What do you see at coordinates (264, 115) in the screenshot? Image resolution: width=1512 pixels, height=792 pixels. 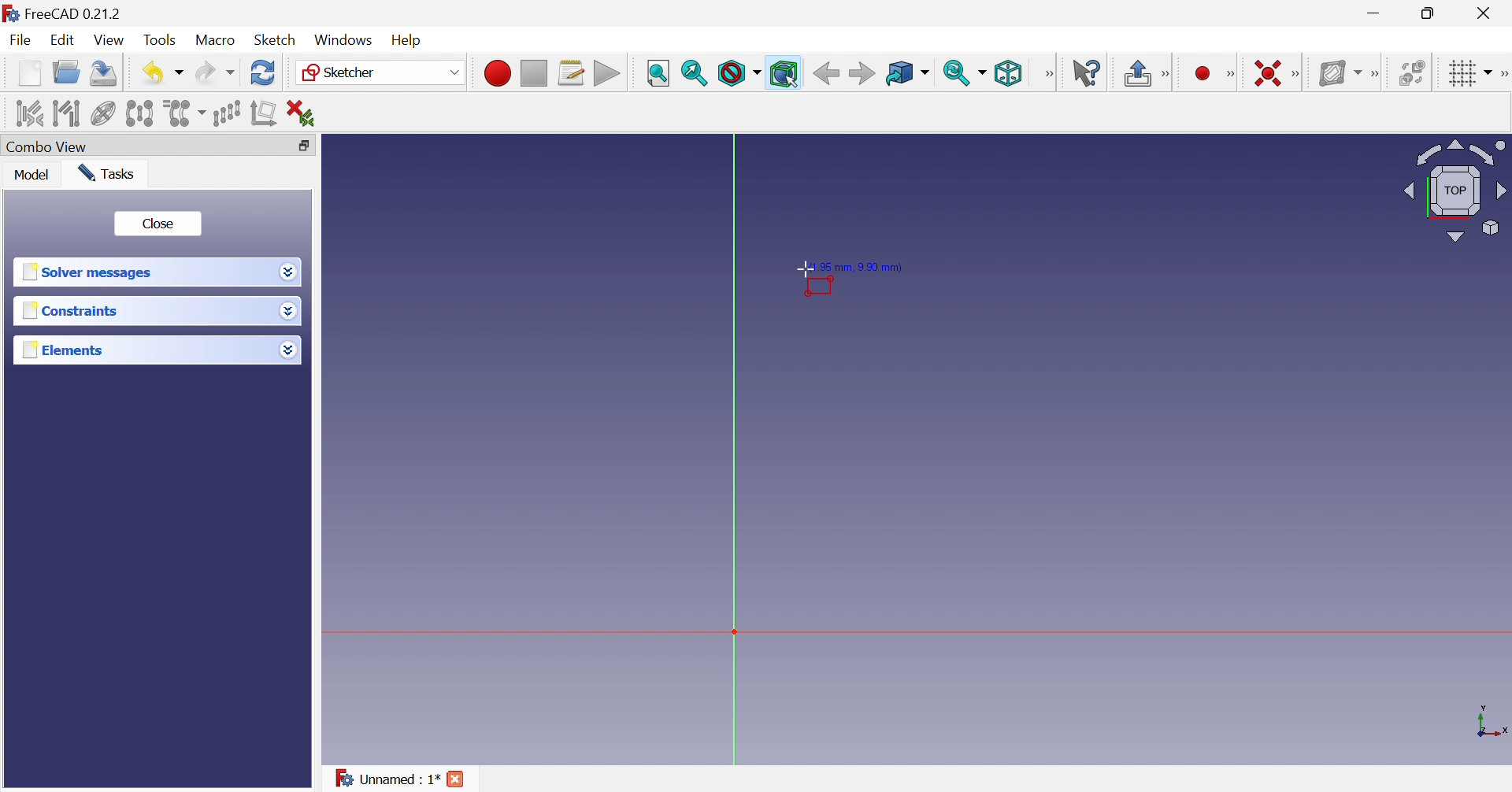 I see `Remove axes alignment` at bounding box center [264, 115].